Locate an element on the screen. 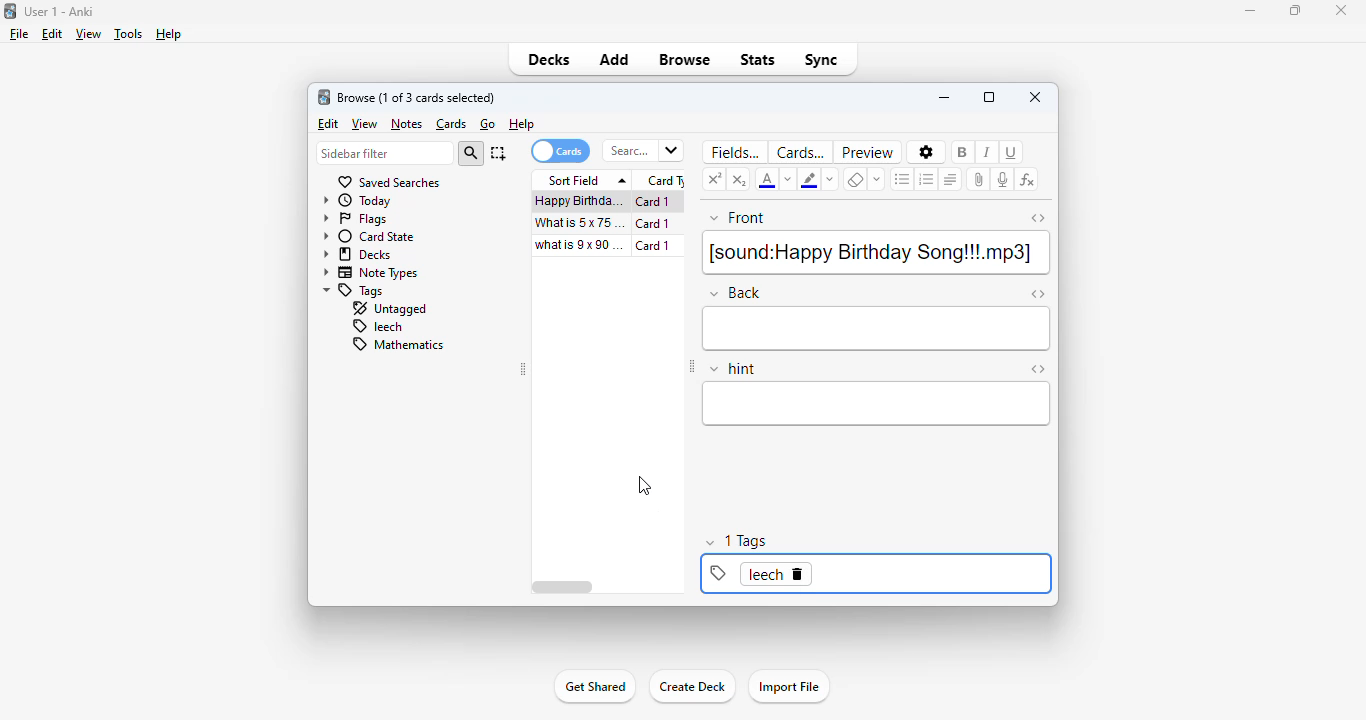 This screenshot has width=1366, height=720. select is located at coordinates (498, 153).